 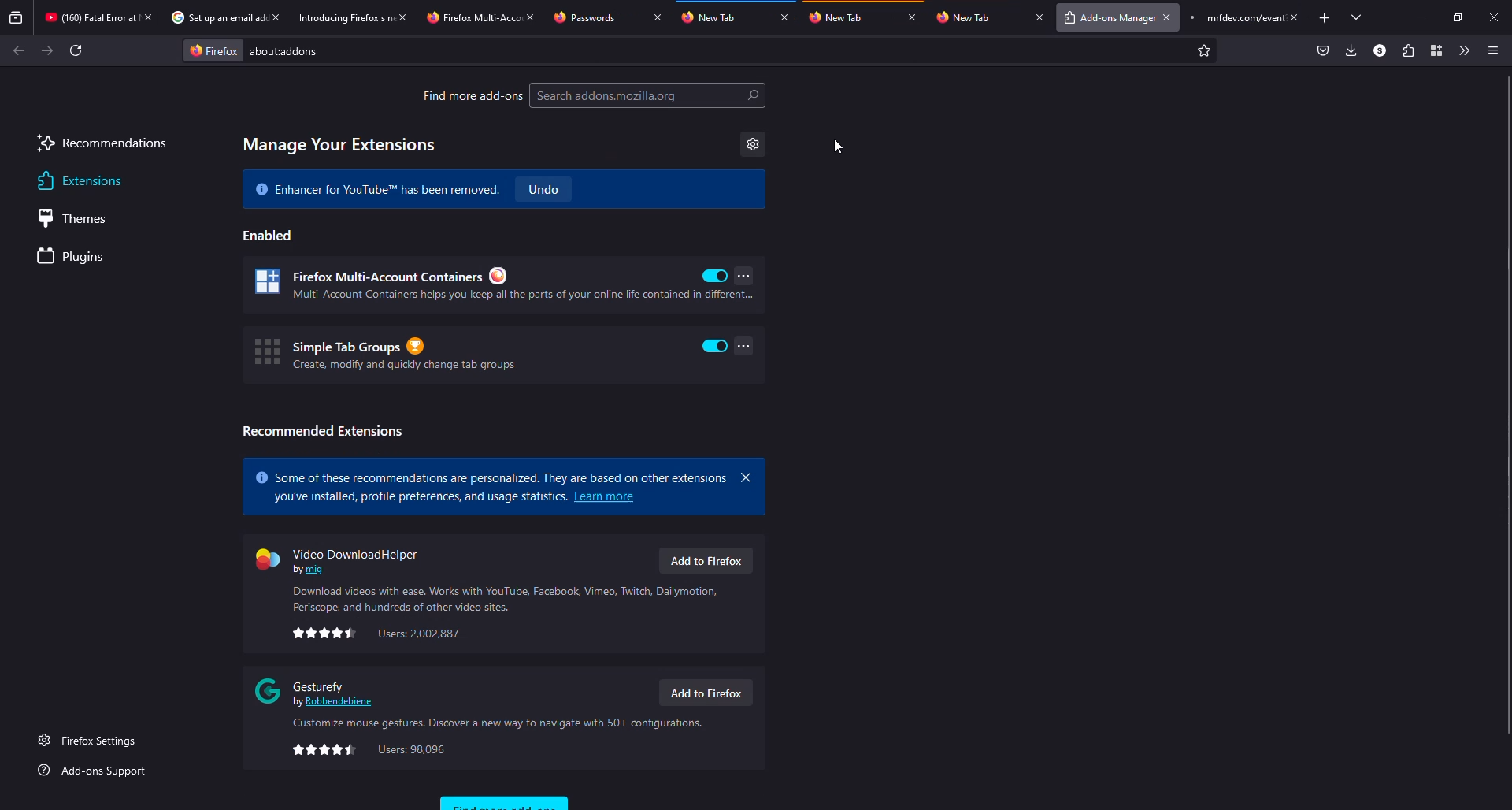 What do you see at coordinates (706, 561) in the screenshot?
I see `add to firefox` at bounding box center [706, 561].